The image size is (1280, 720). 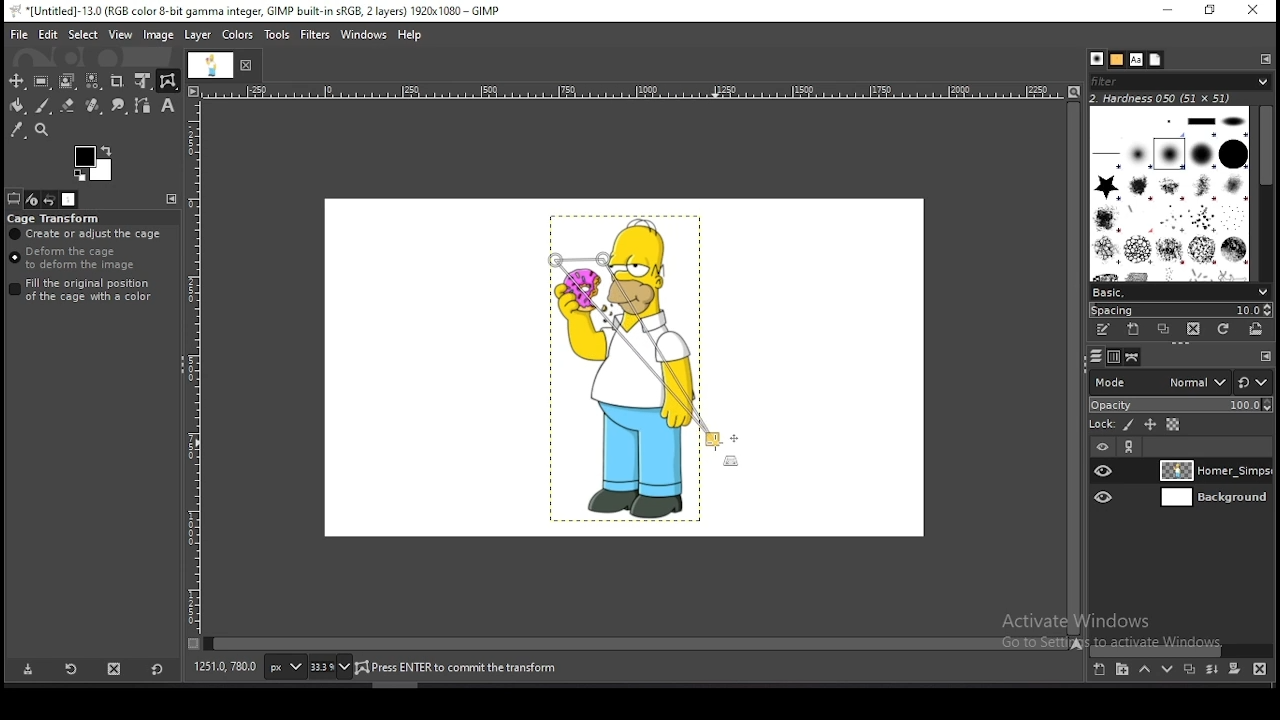 I want to click on healing tool, so click(x=93, y=105).